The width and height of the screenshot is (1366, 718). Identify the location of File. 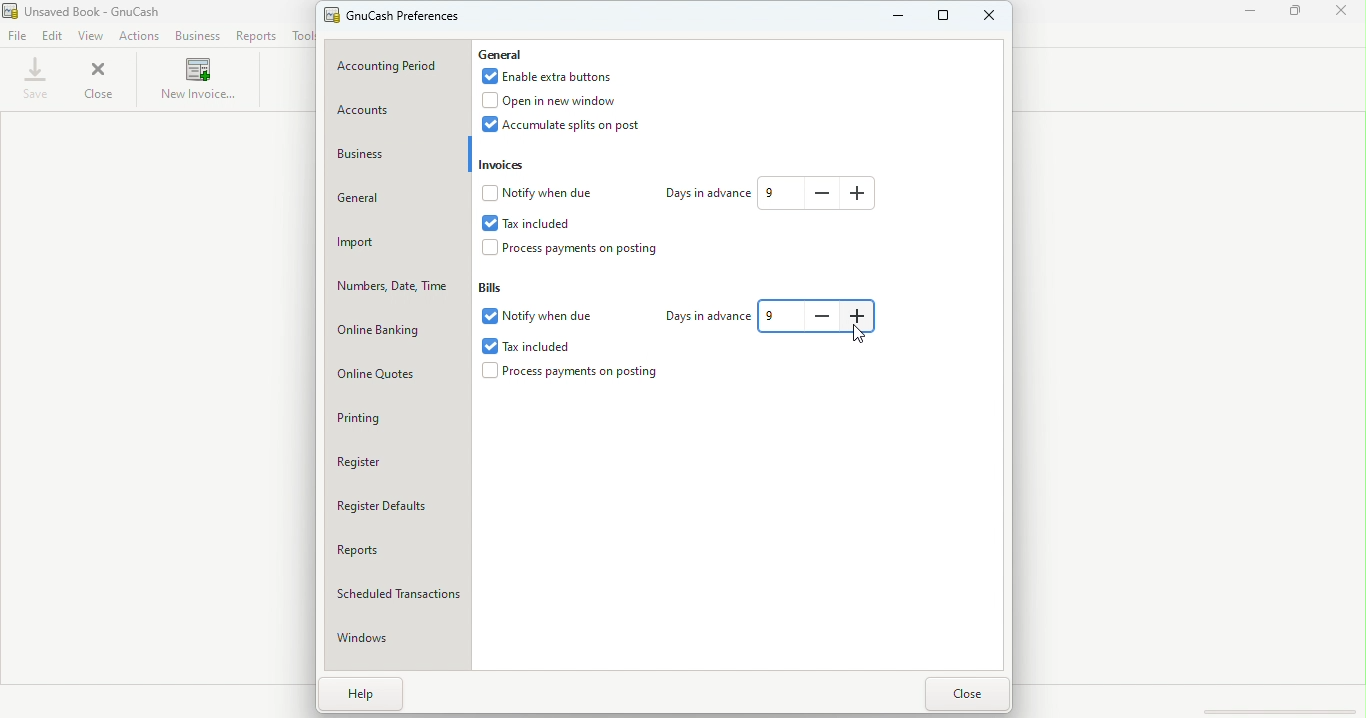
(19, 34).